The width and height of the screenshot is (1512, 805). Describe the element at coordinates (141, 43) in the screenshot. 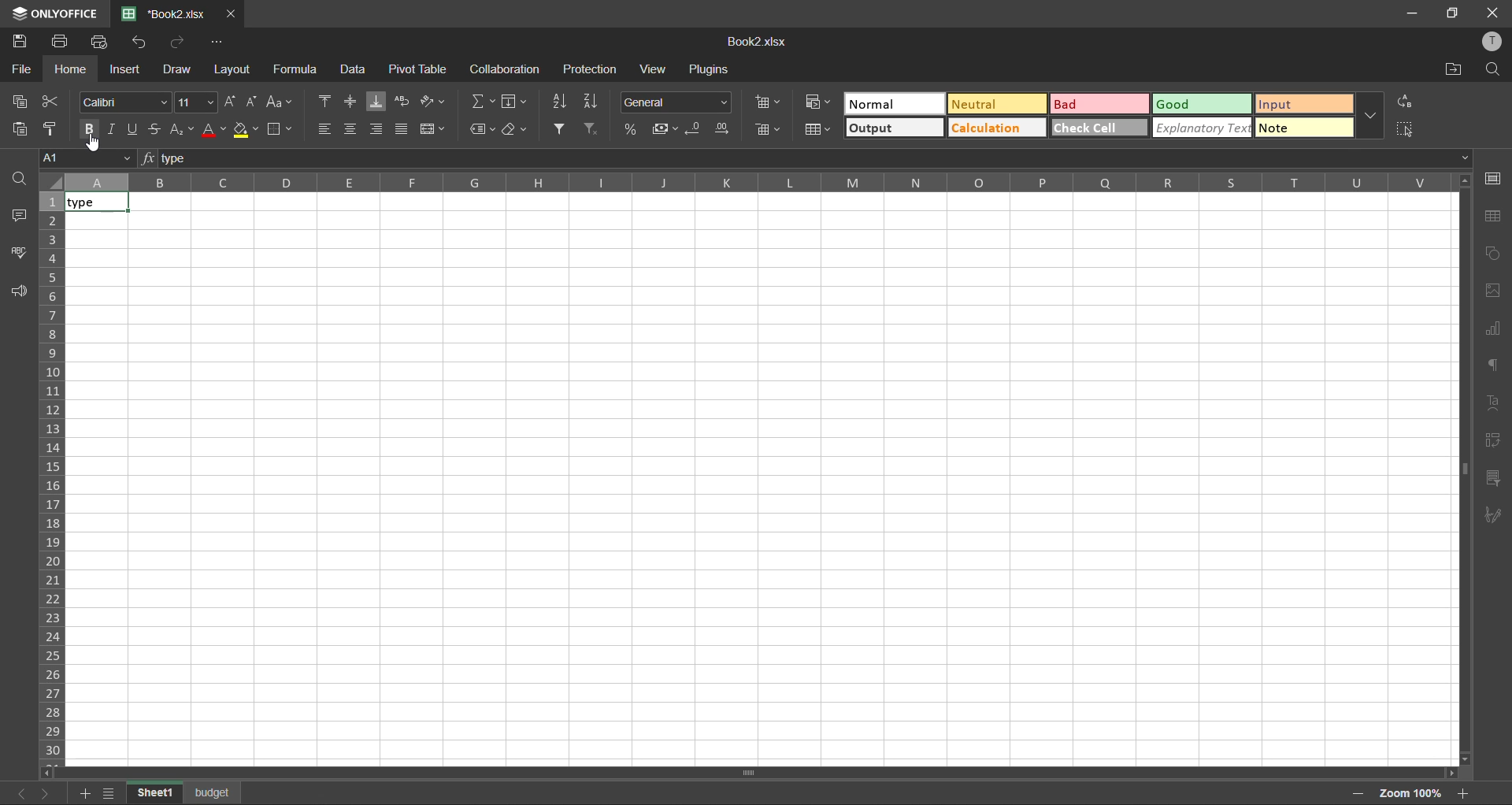

I see `undo` at that location.